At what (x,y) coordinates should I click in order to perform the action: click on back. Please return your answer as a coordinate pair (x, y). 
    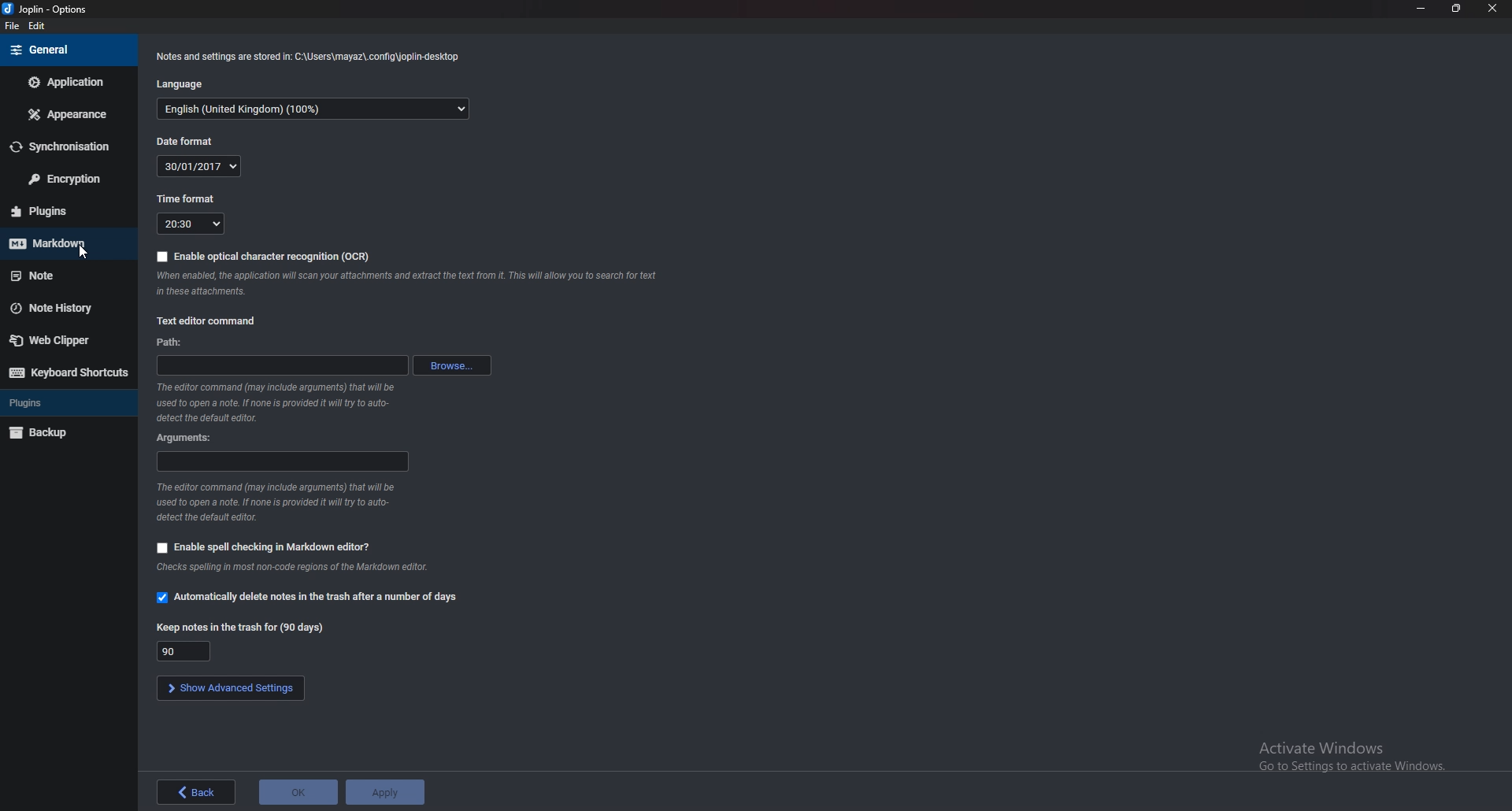
    Looking at the image, I should click on (196, 793).